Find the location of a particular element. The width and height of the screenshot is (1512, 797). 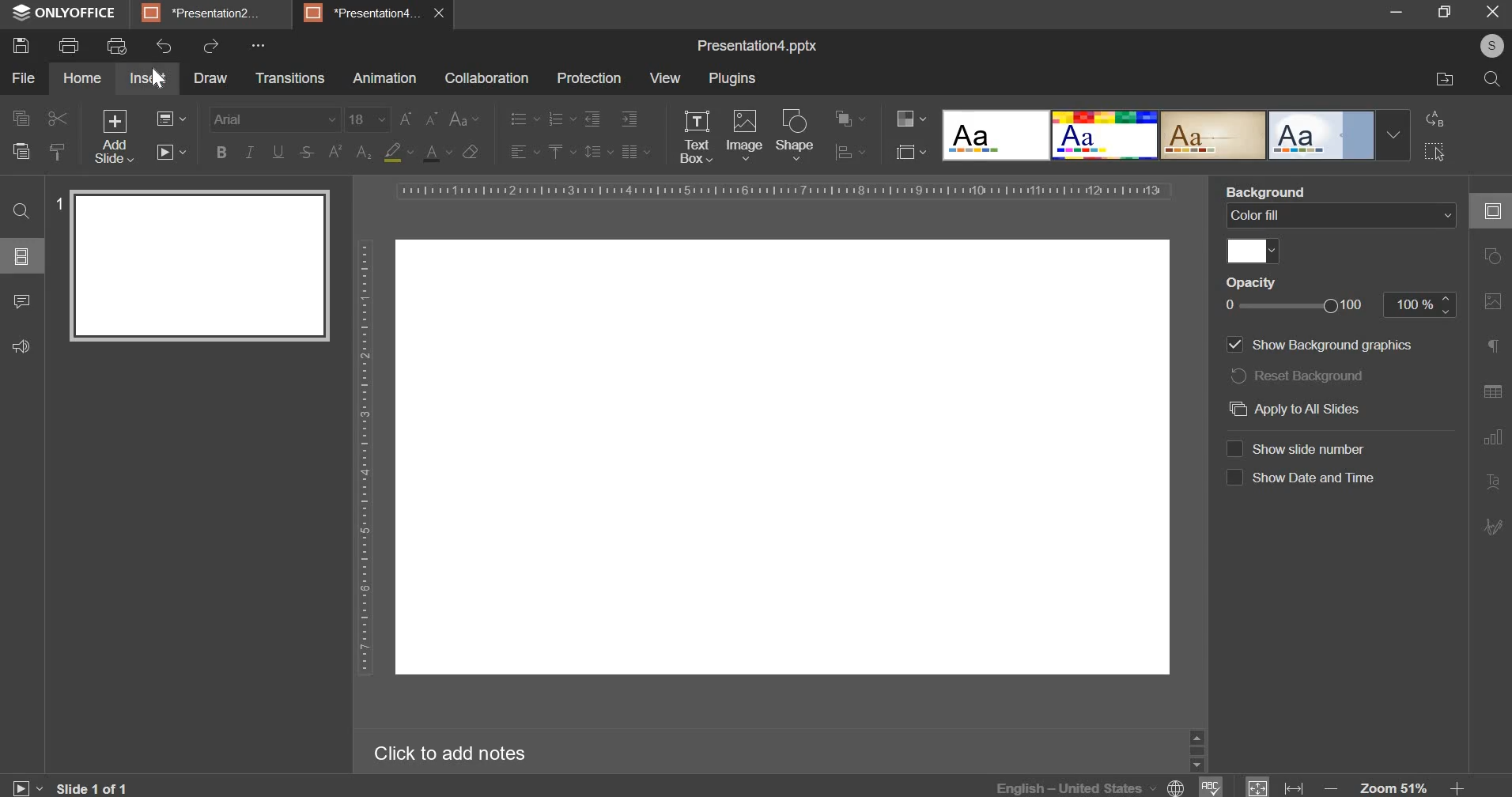

add slide is located at coordinates (114, 136).